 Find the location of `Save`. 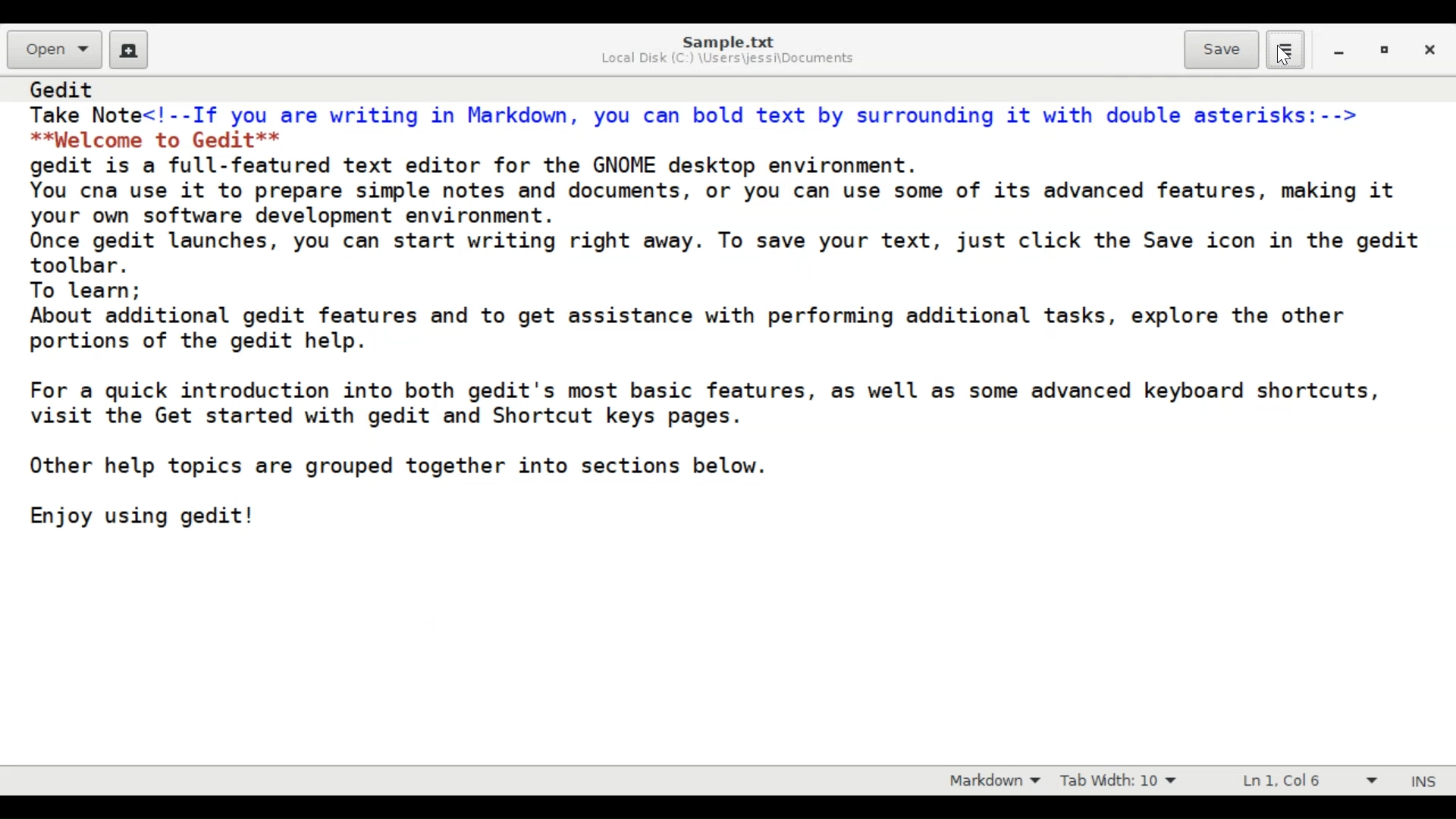

Save is located at coordinates (1222, 50).